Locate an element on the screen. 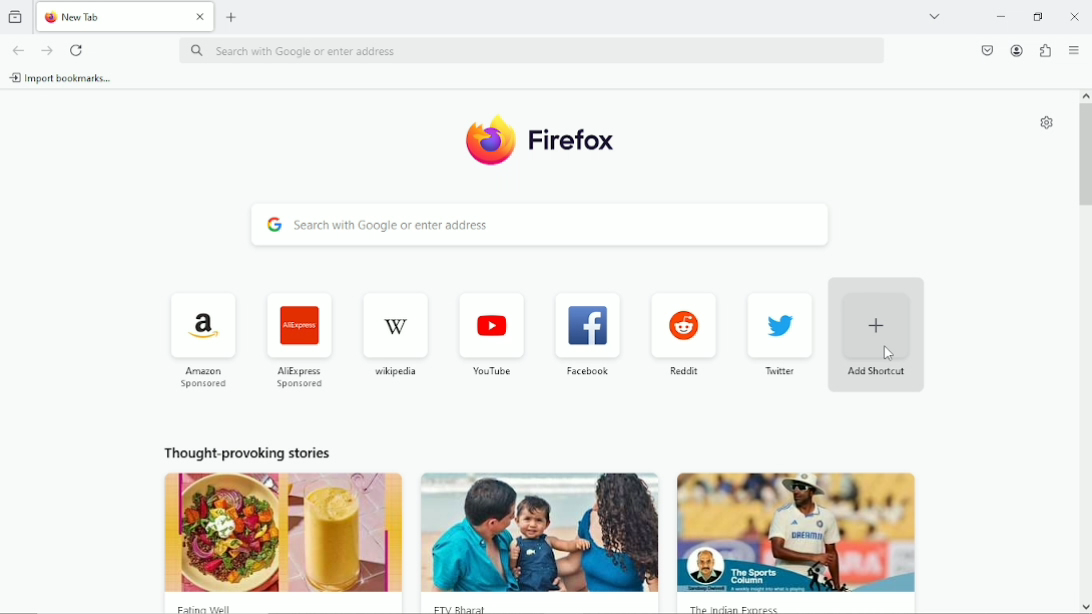 The image size is (1092, 614). Thought provoking stories is located at coordinates (534, 523).